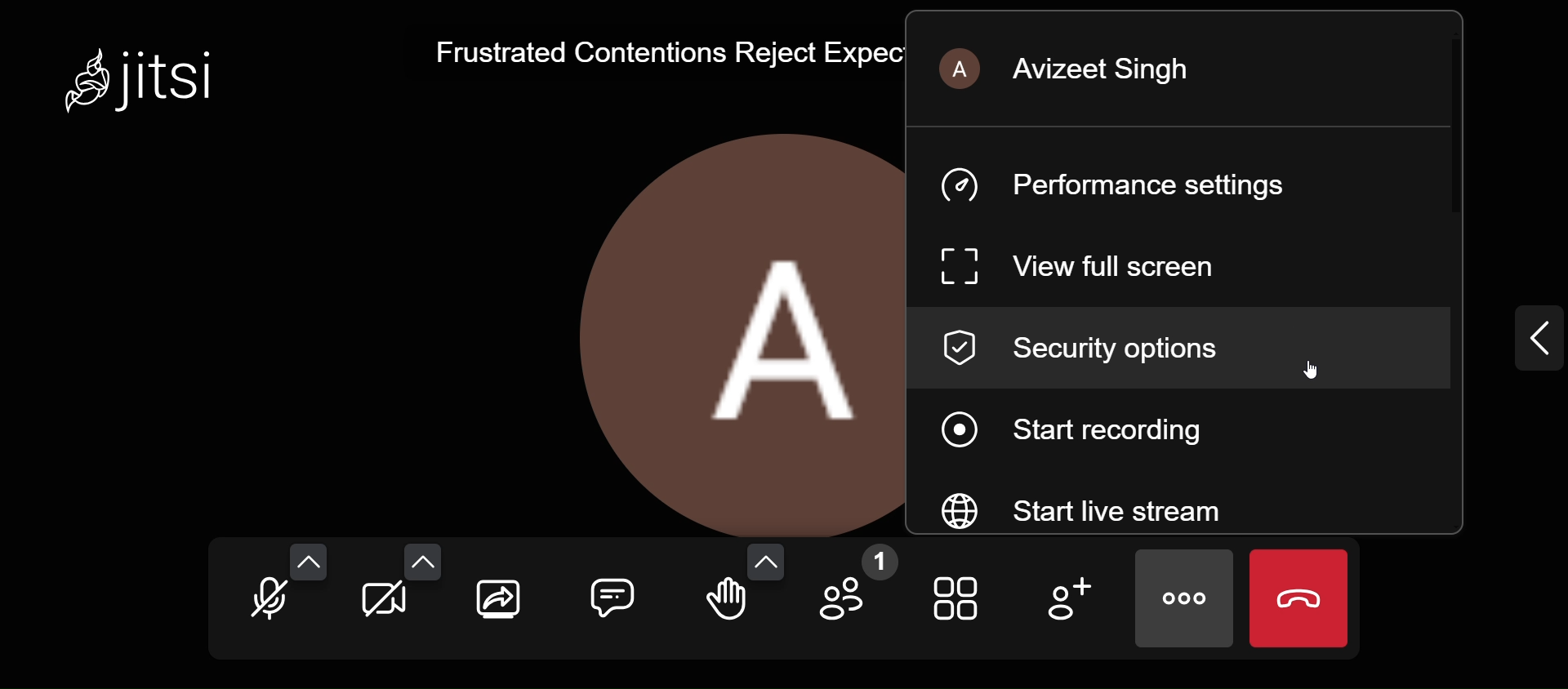  I want to click on display picture, so click(738, 329).